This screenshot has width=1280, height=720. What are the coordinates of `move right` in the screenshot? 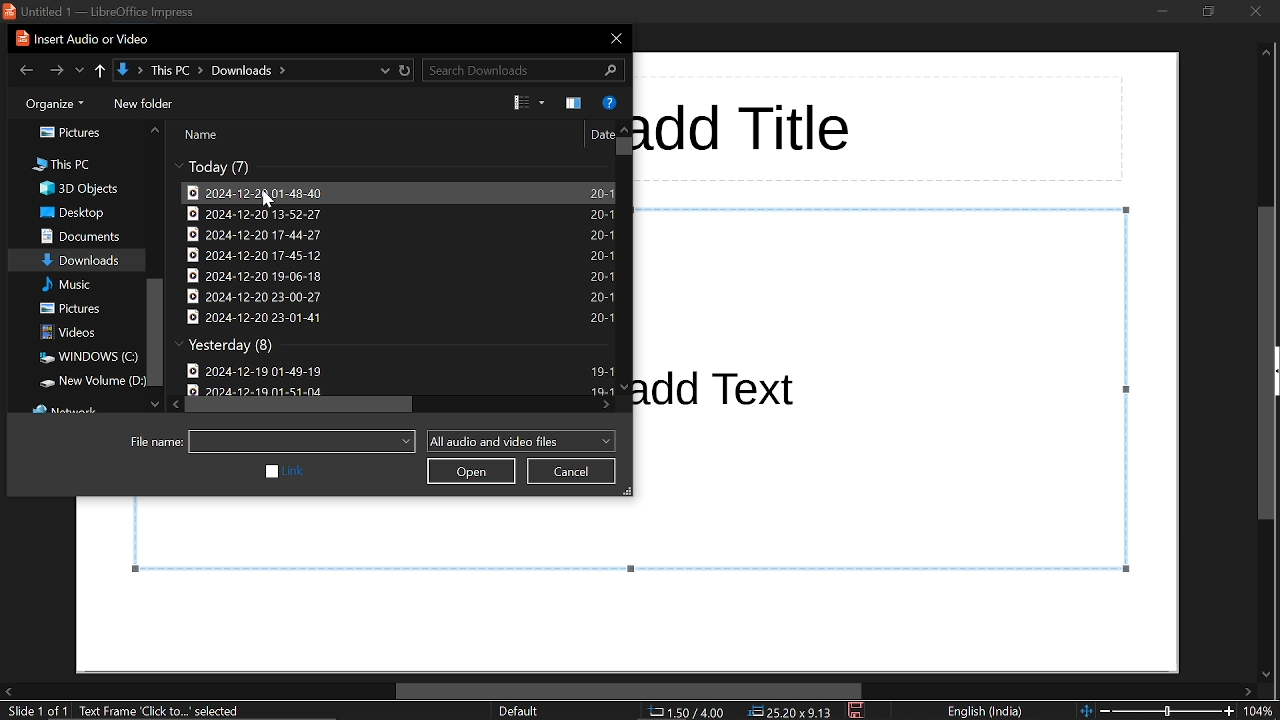 It's located at (1249, 691).